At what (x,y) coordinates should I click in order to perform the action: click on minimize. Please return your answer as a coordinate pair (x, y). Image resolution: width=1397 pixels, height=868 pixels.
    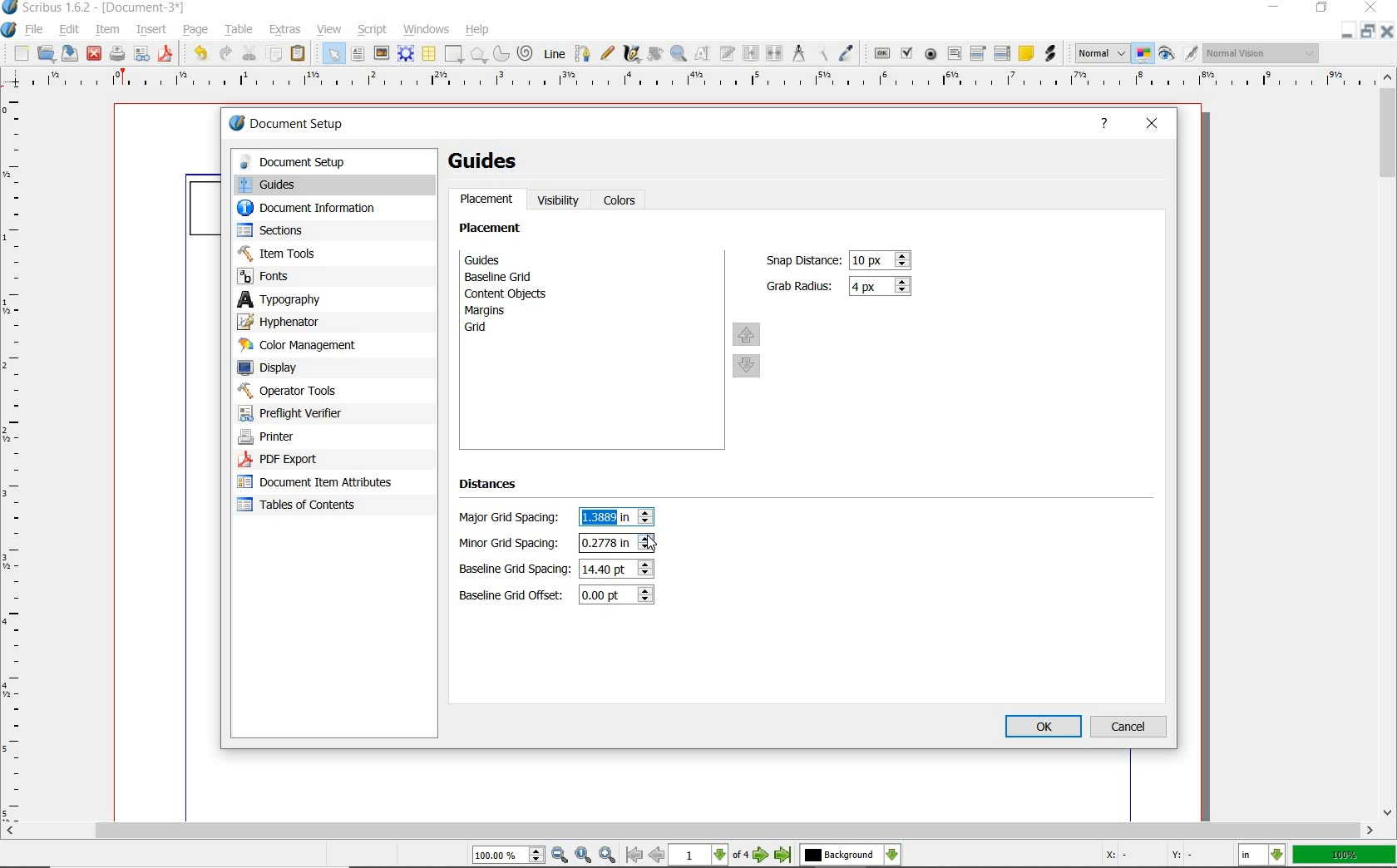
    Looking at the image, I should click on (1276, 7).